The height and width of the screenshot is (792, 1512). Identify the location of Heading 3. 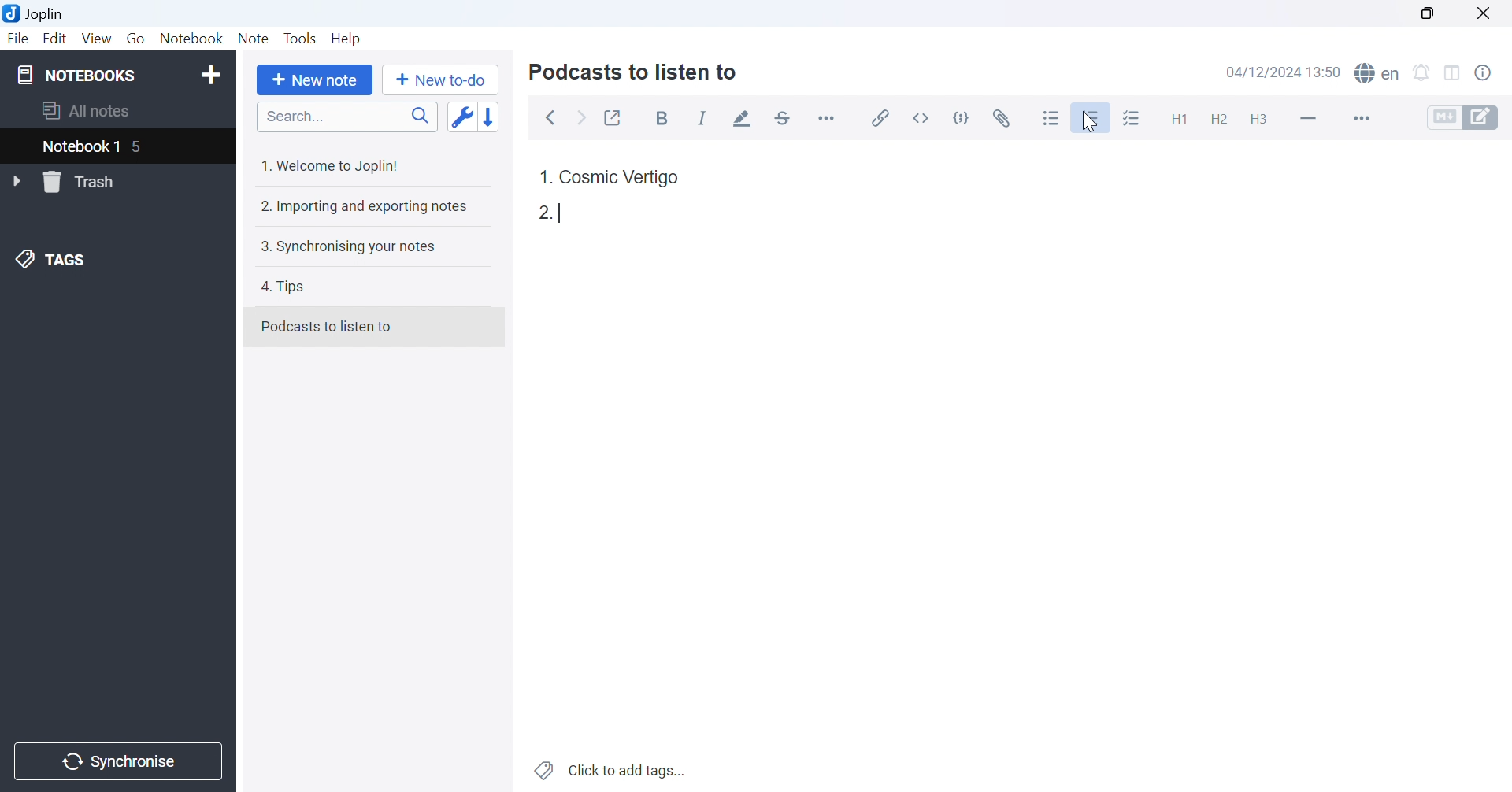
(1260, 120).